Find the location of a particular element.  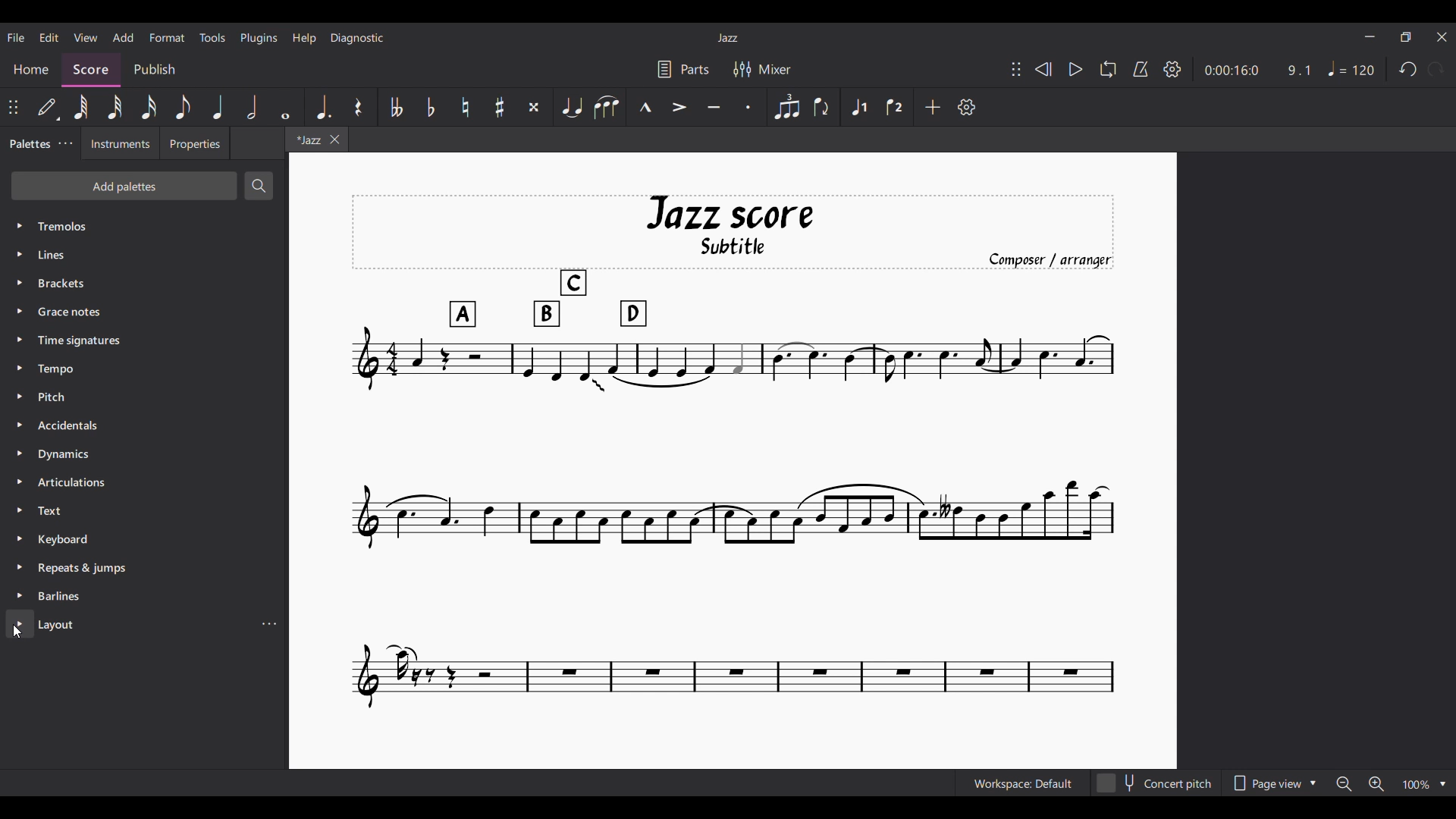

Undo is located at coordinates (1408, 69).